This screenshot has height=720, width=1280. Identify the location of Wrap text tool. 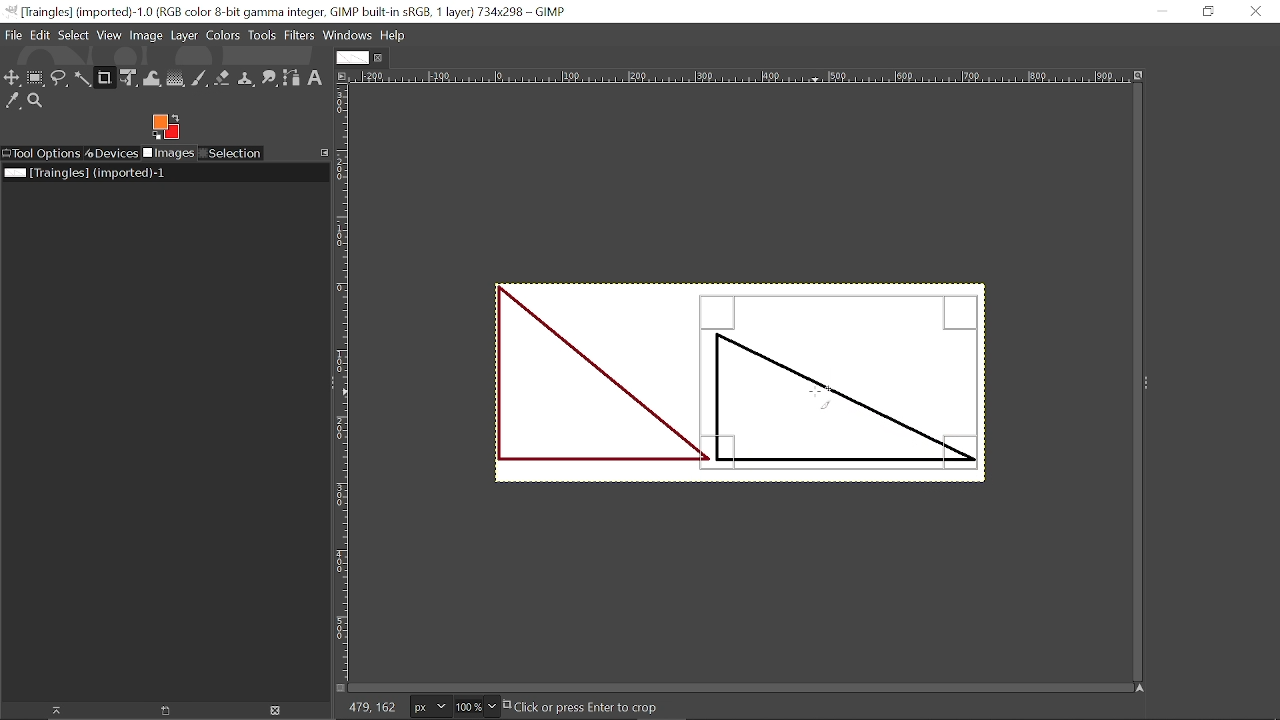
(153, 78).